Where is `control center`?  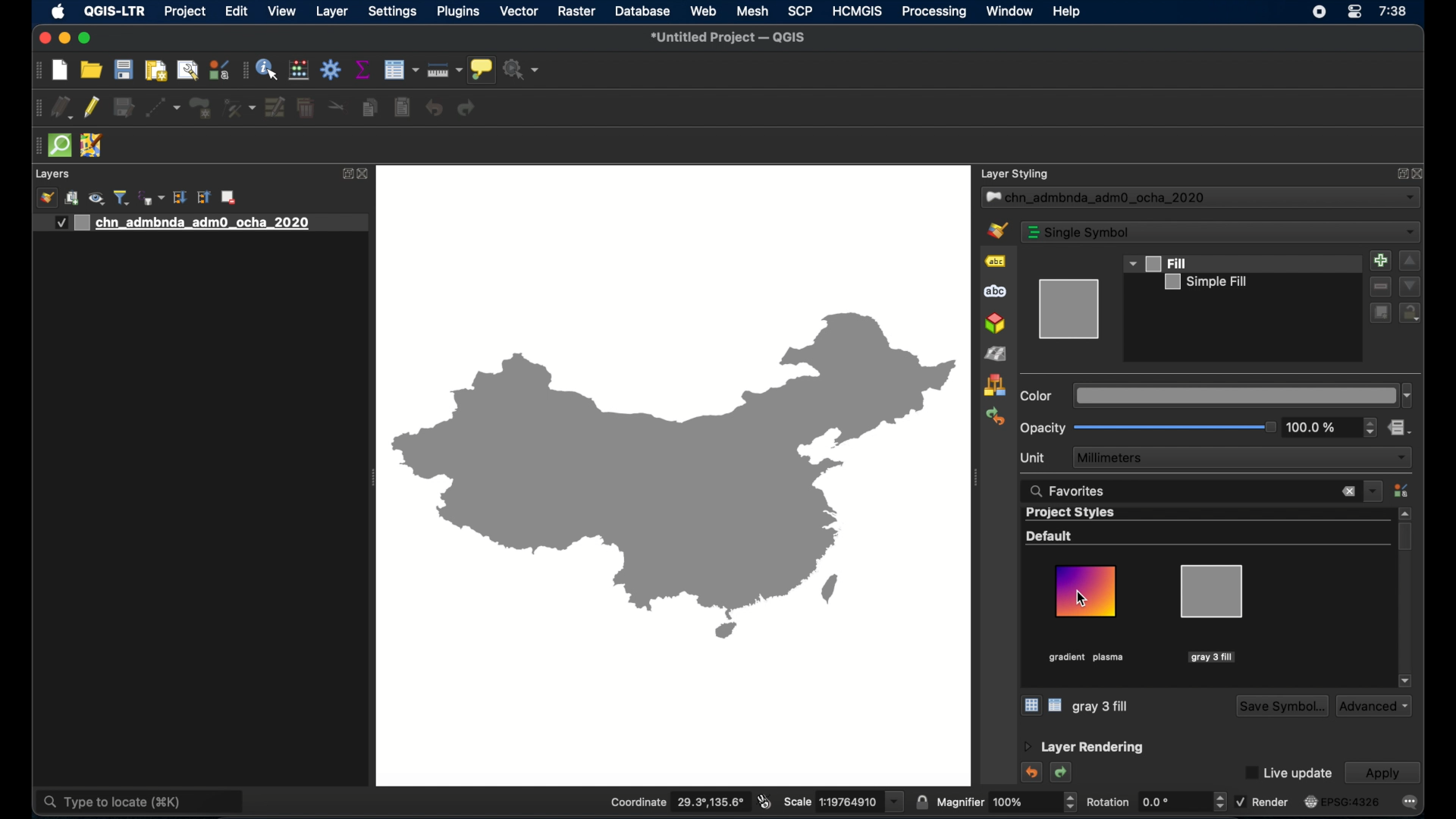 control center is located at coordinates (1355, 12).